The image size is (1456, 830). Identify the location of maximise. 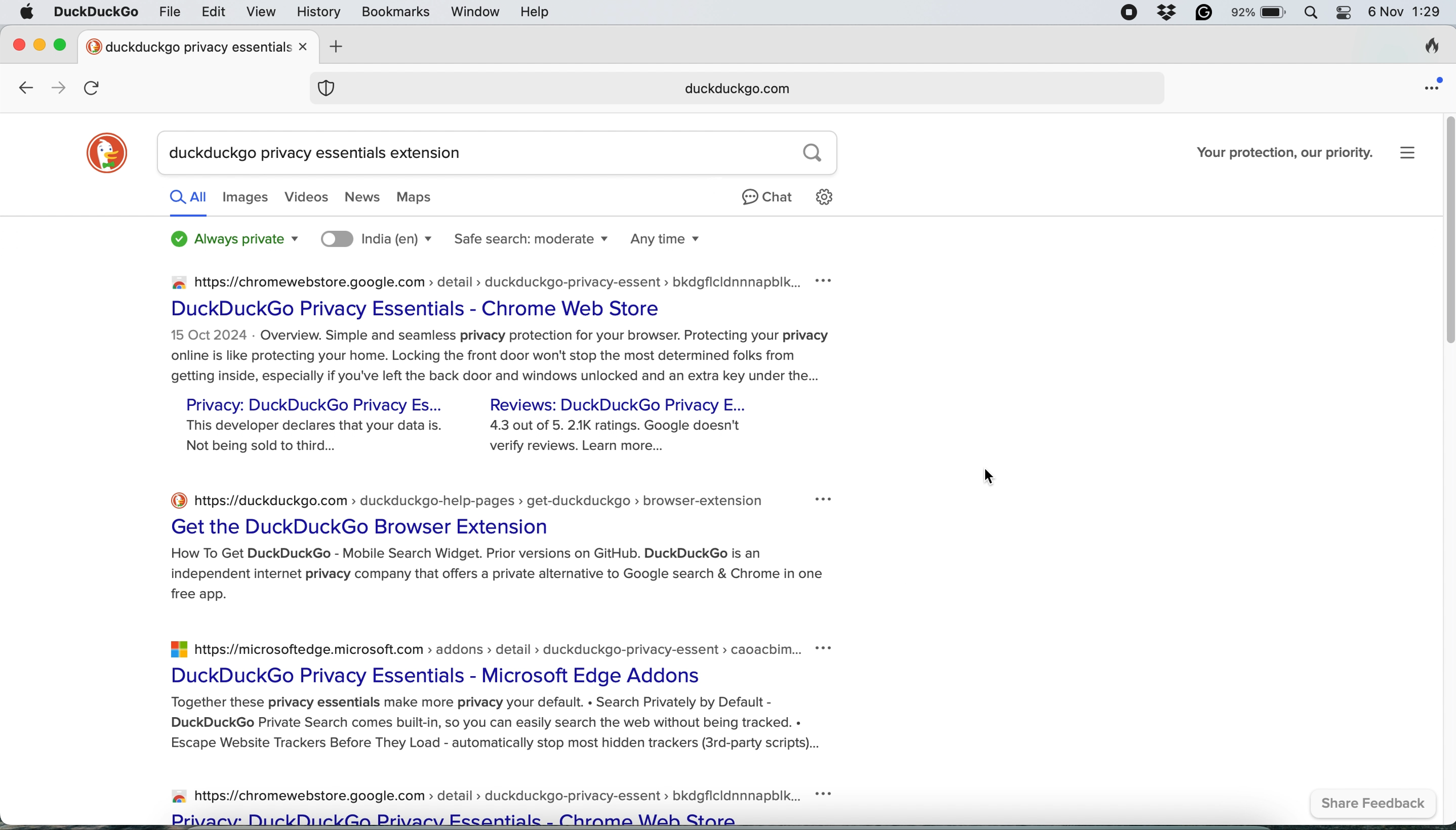
(62, 43).